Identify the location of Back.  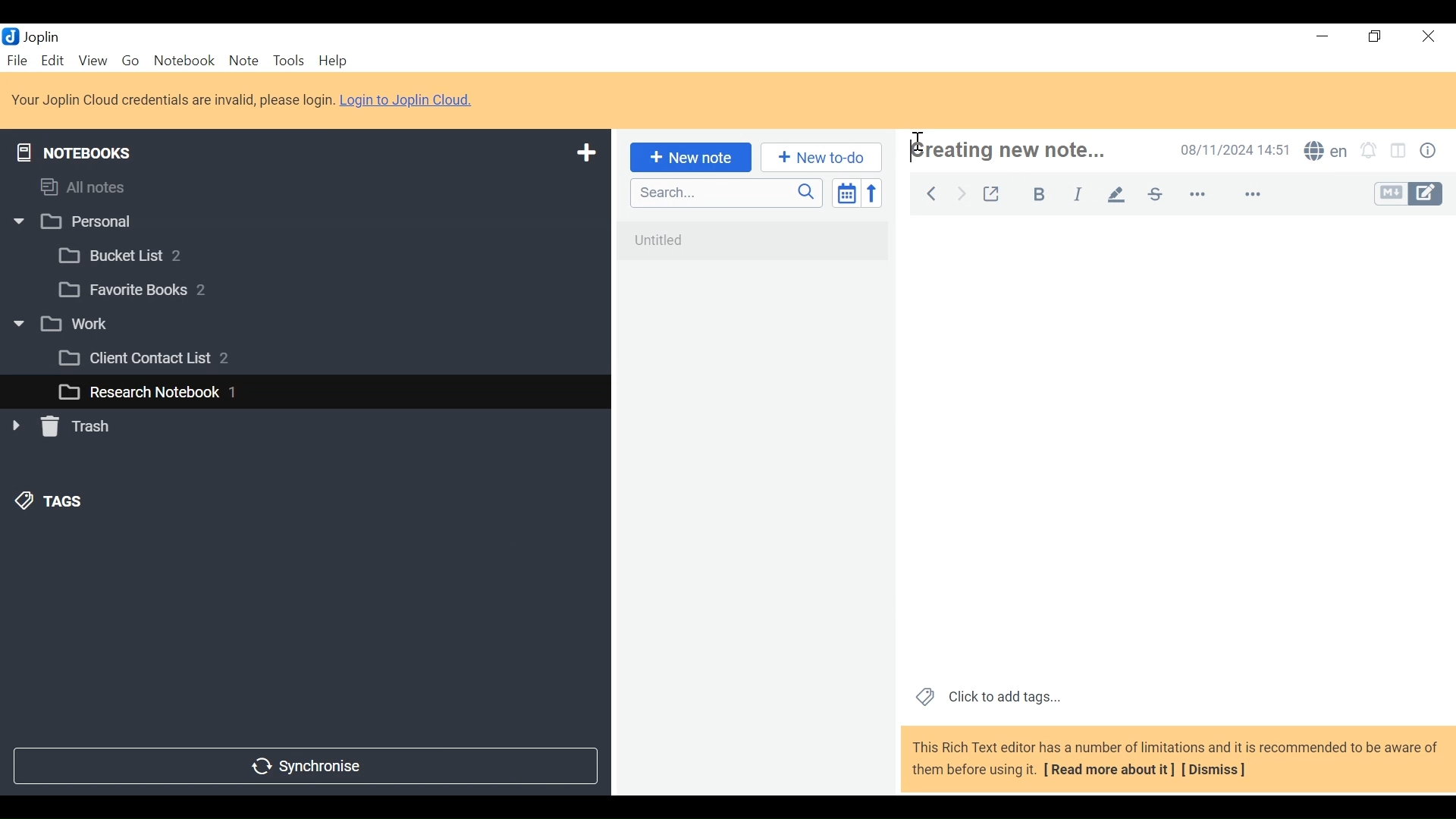
(930, 191).